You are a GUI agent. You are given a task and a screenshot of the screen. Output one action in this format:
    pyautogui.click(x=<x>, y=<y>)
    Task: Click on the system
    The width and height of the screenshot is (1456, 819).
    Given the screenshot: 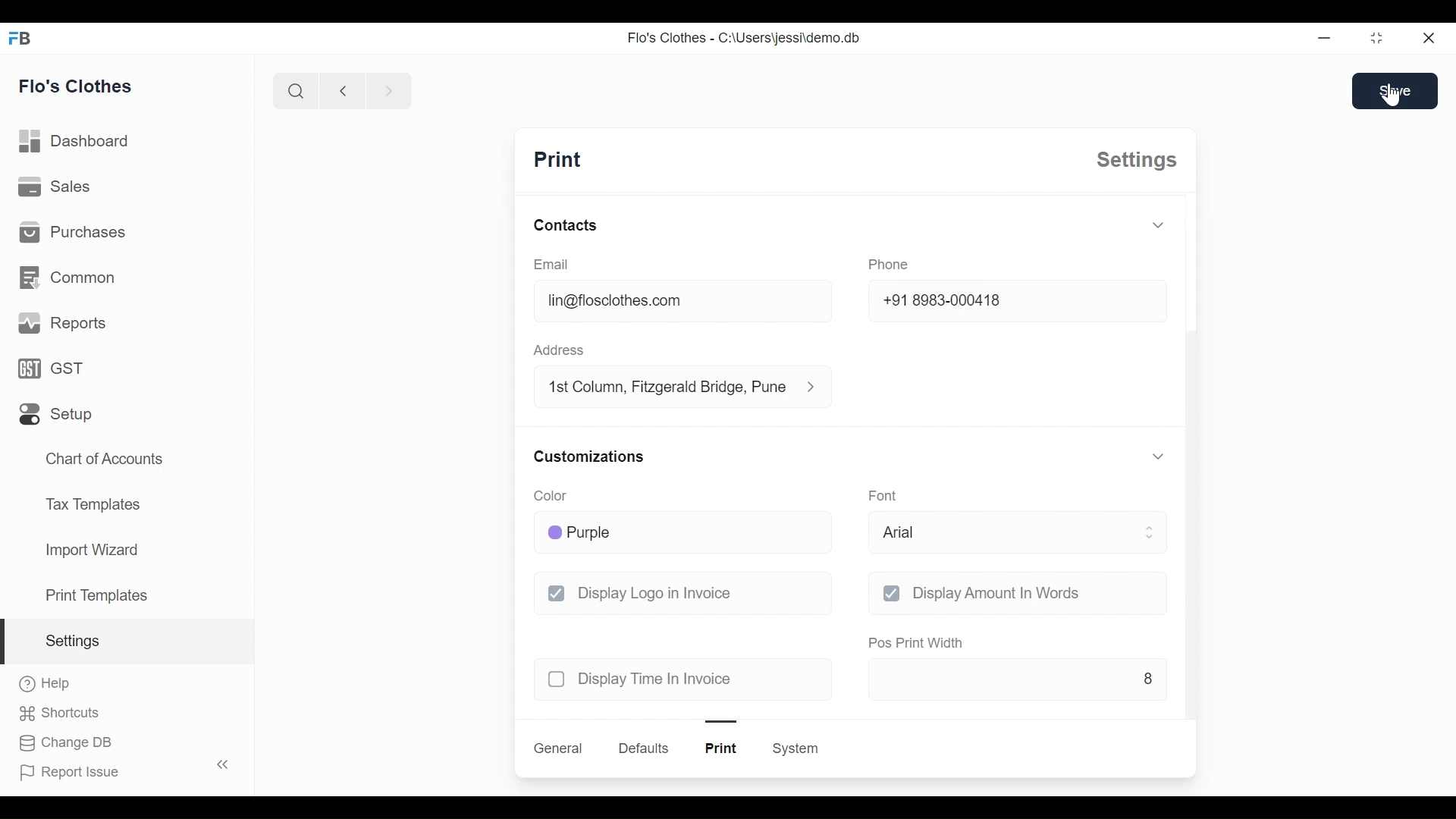 What is the action you would take?
    pyautogui.click(x=795, y=748)
    